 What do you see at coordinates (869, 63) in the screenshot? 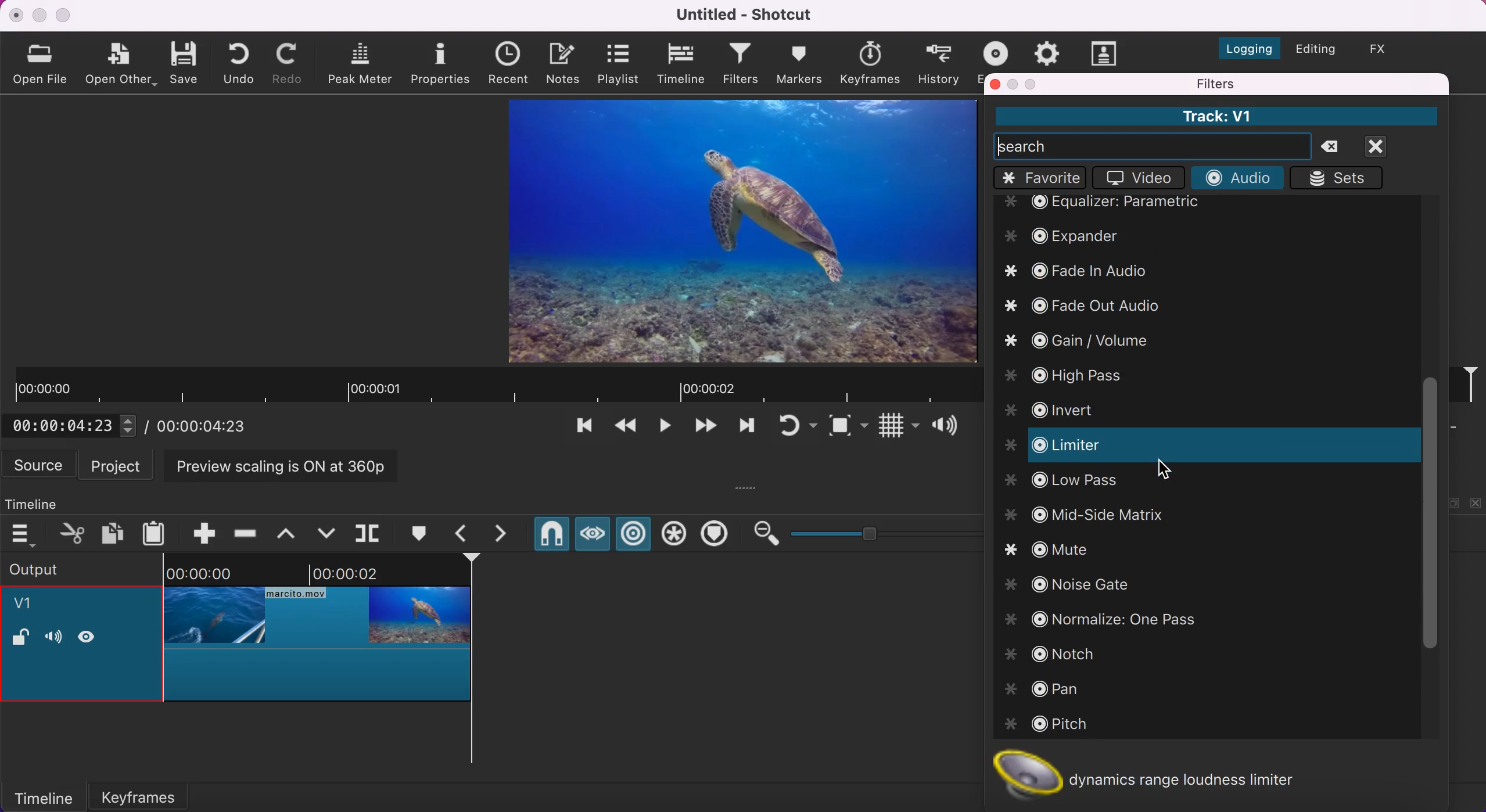
I see `keyframes` at bounding box center [869, 63].